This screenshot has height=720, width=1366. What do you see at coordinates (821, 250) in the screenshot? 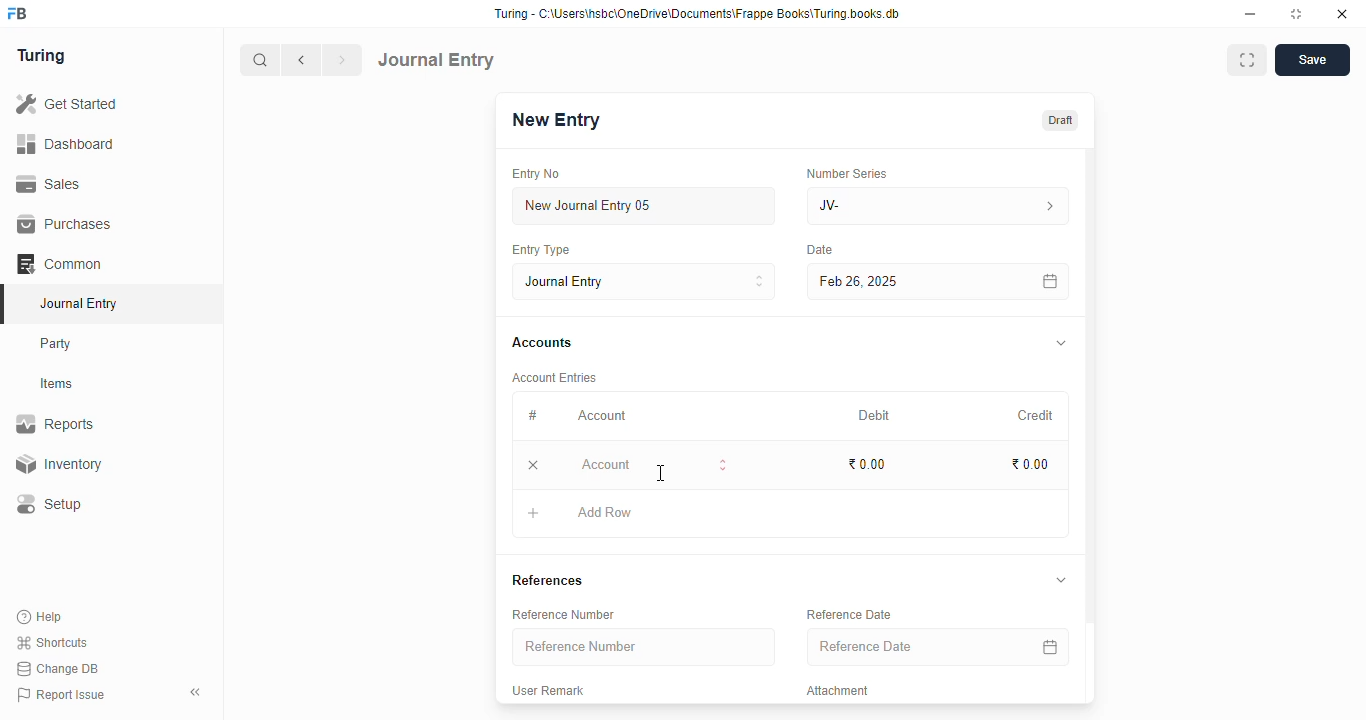
I see `Date` at bounding box center [821, 250].